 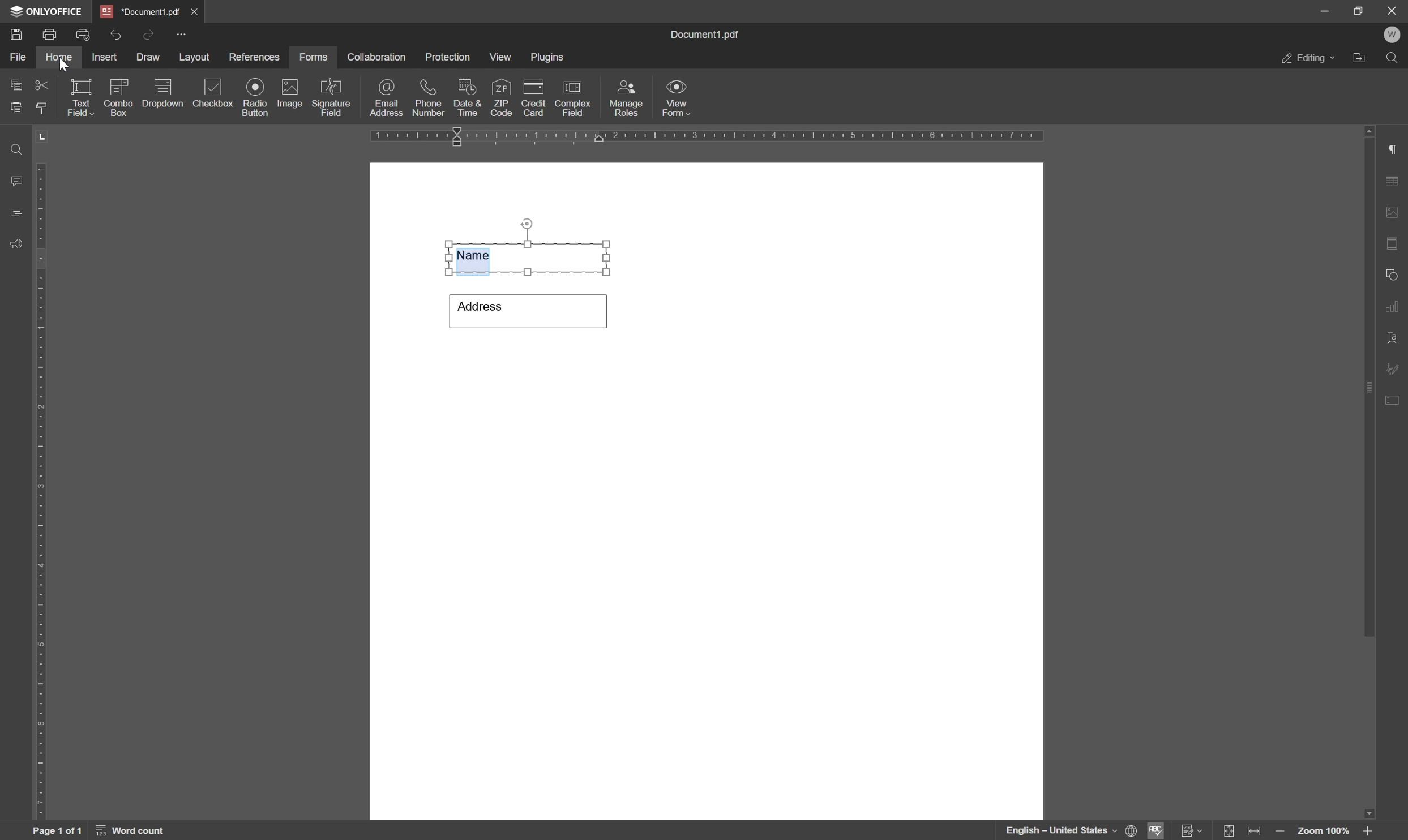 I want to click on radio button, so click(x=254, y=97).